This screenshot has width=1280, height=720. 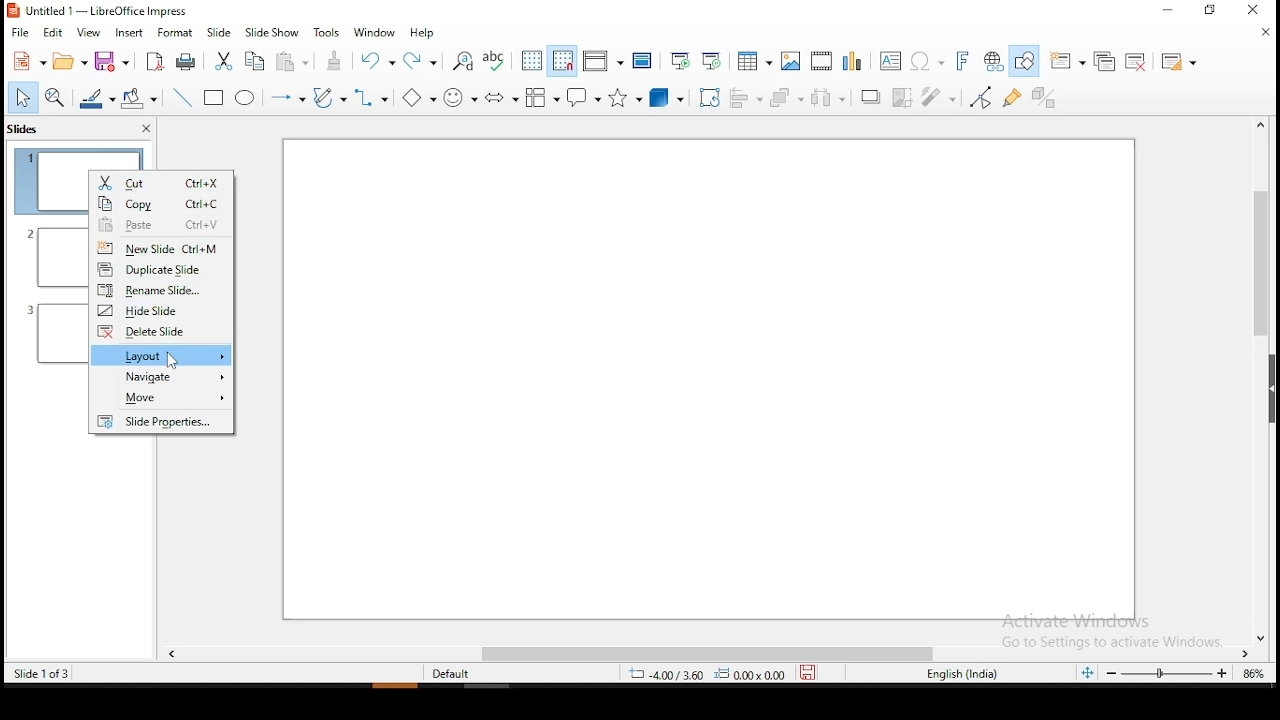 What do you see at coordinates (162, 180) in the screenshot?
I see `cut` at bounding box center [162, 180].